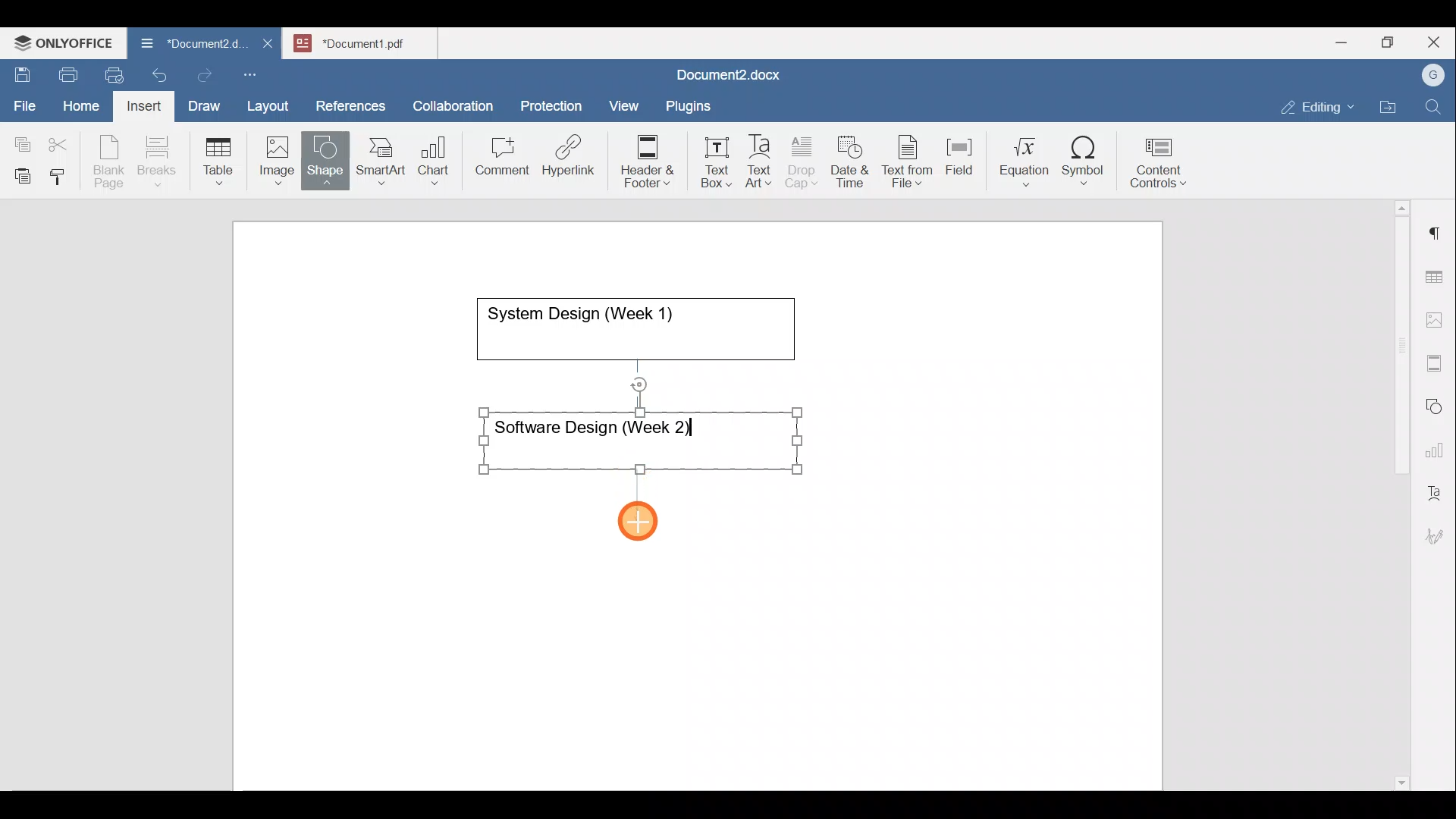 Image resolution: width=1456 pixels, height=819 pixels. Describe the element at coordinates (910, 160) in the screenshot. I see `Text from file` at that location.